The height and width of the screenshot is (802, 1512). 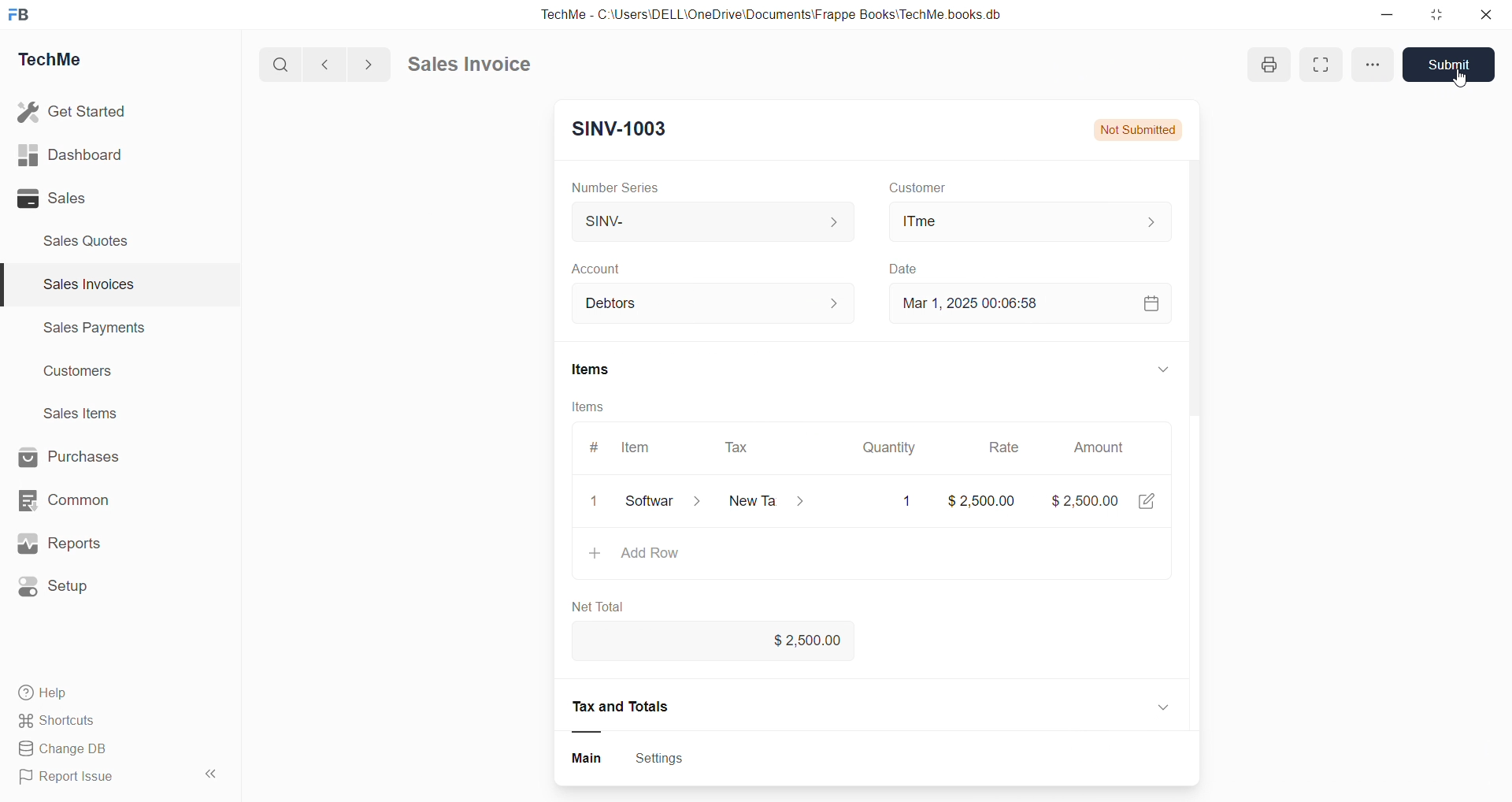 I want to click on Tax, so click(x=747, y=447).